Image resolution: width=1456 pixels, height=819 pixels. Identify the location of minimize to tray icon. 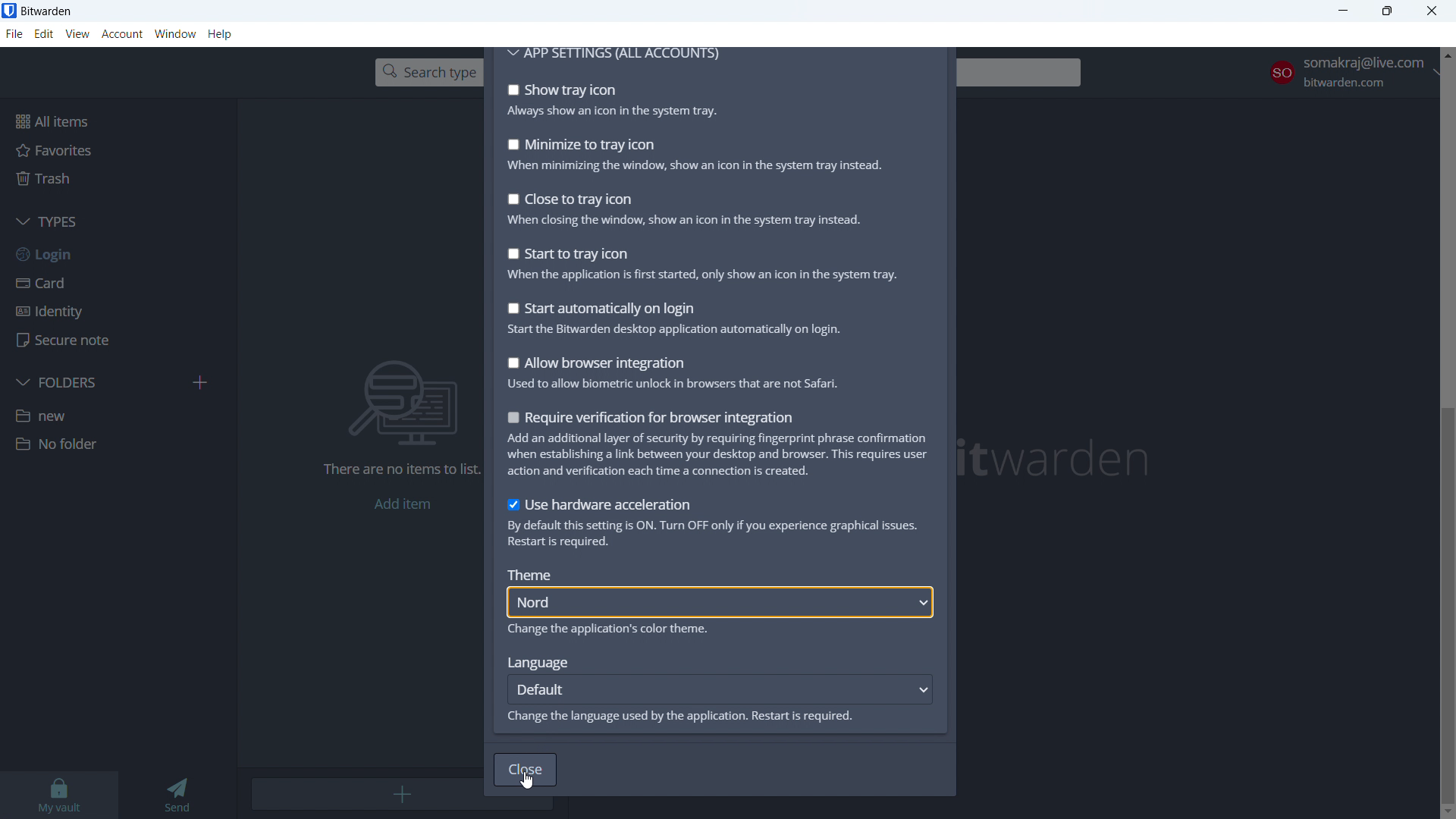
(713, 155).